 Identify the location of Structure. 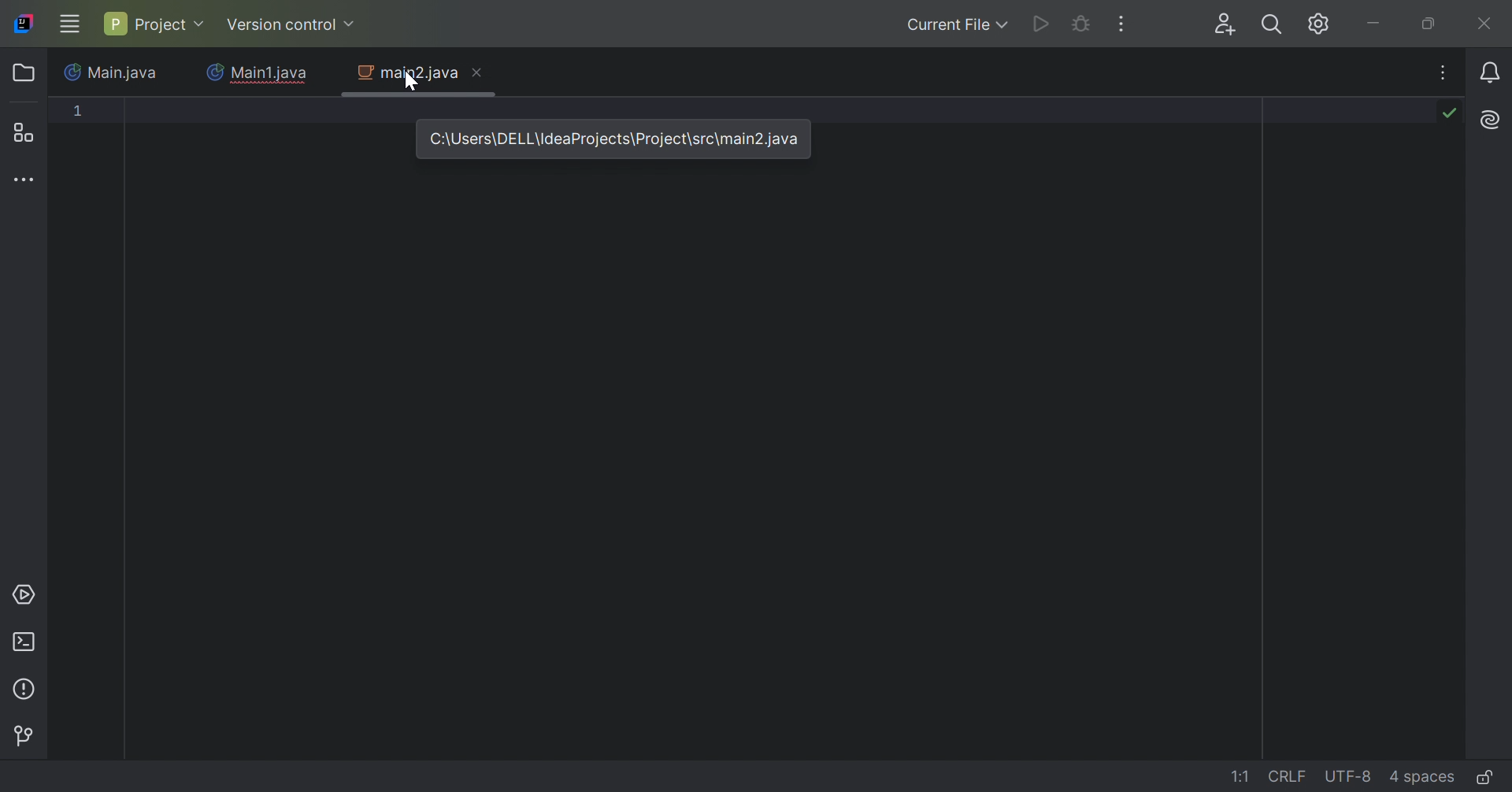
(23, 131).